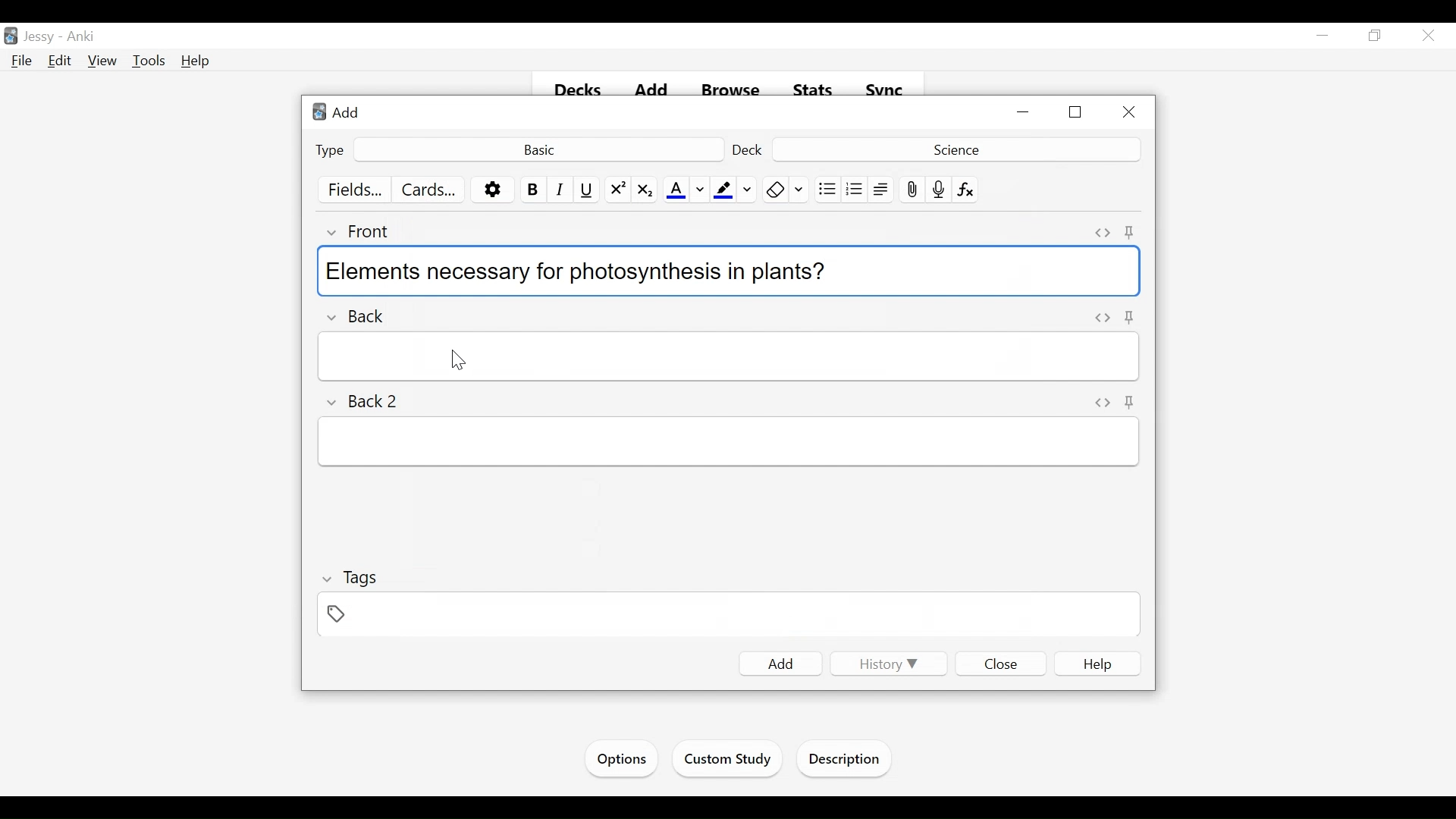  Describe the element at coordinates (351, 578) in the screenshot. I see `Tags` at that location.